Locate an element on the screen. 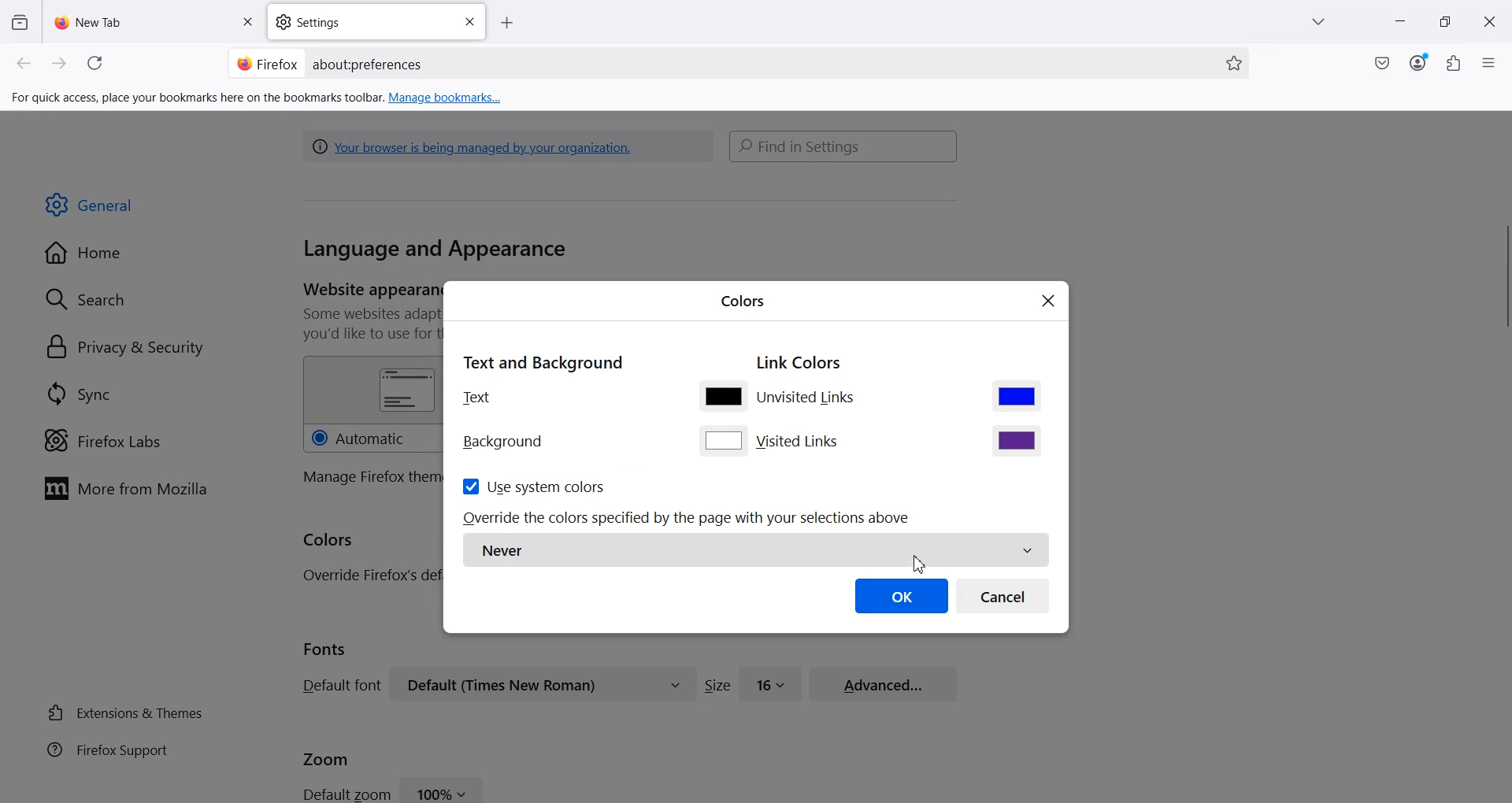 This screenshot has height=803, width=1512. New Tab is located at coordinates (155, 21).